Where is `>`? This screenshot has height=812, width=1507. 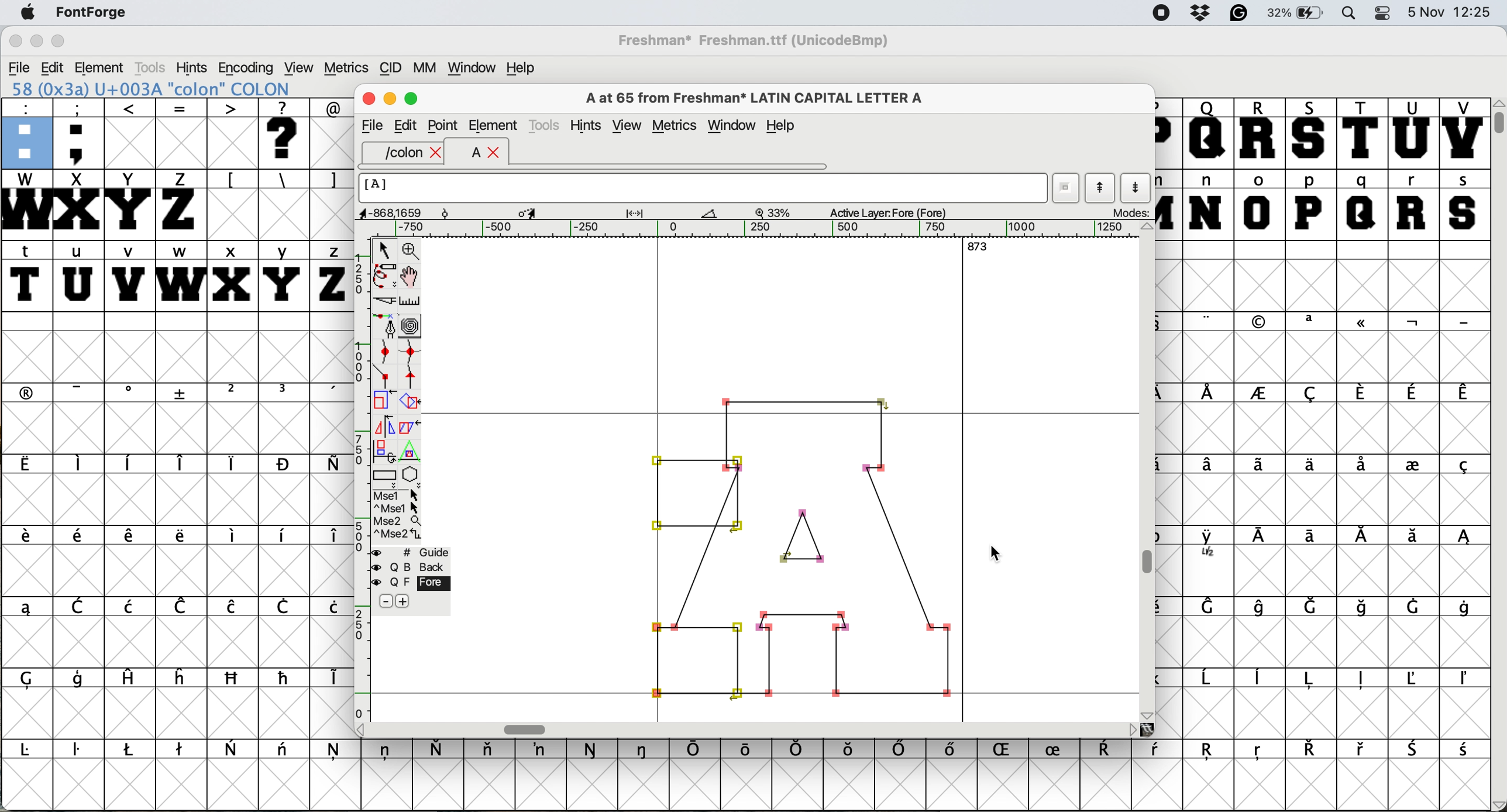
> is located at coordinates (234, 133).